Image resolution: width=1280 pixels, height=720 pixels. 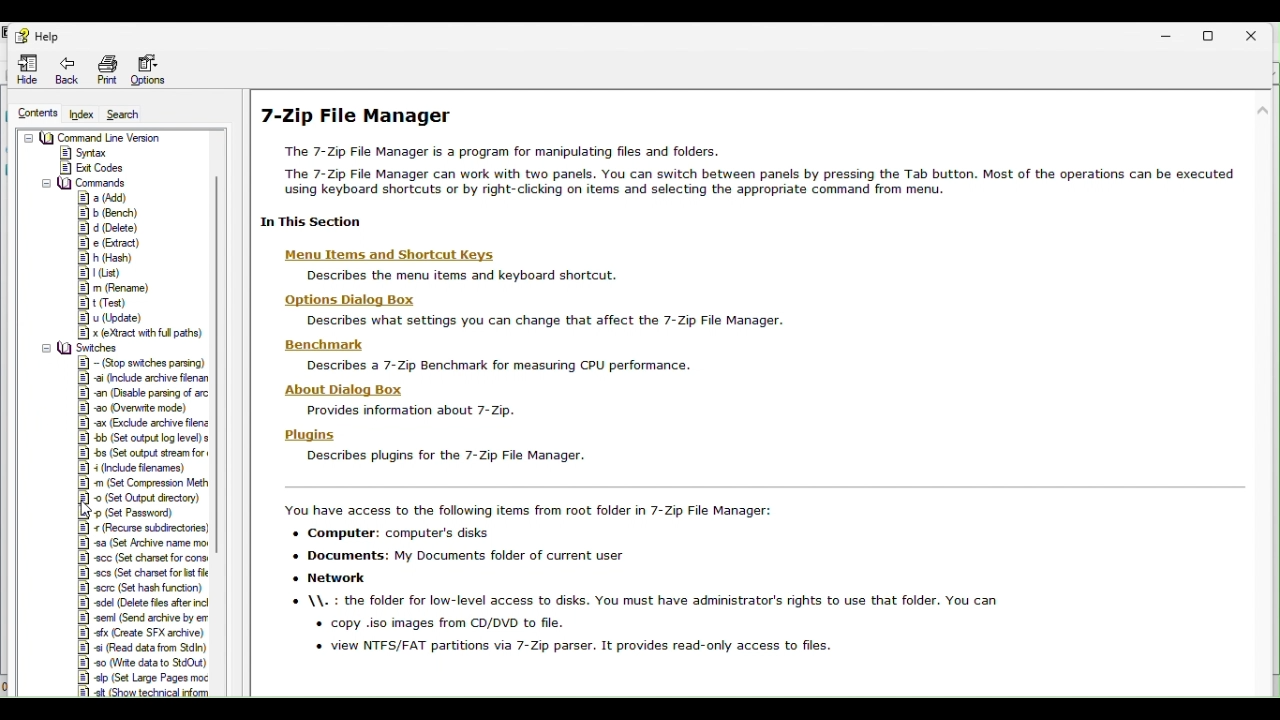 What do you see at coordinates (93, 512) in the screenshot?
I see `cursor` at bounding box center [93, 512].